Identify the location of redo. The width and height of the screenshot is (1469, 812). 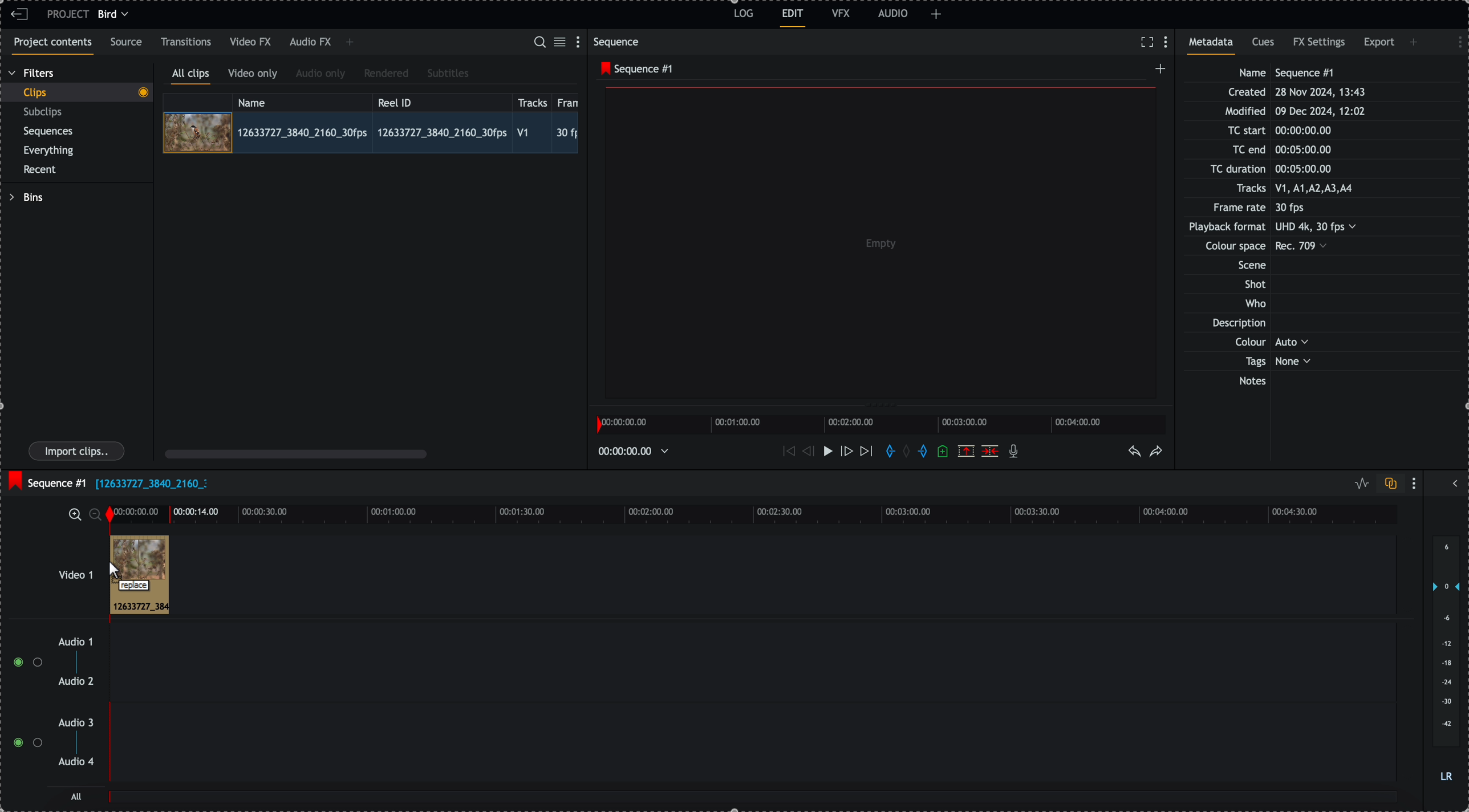
(1156, 452).